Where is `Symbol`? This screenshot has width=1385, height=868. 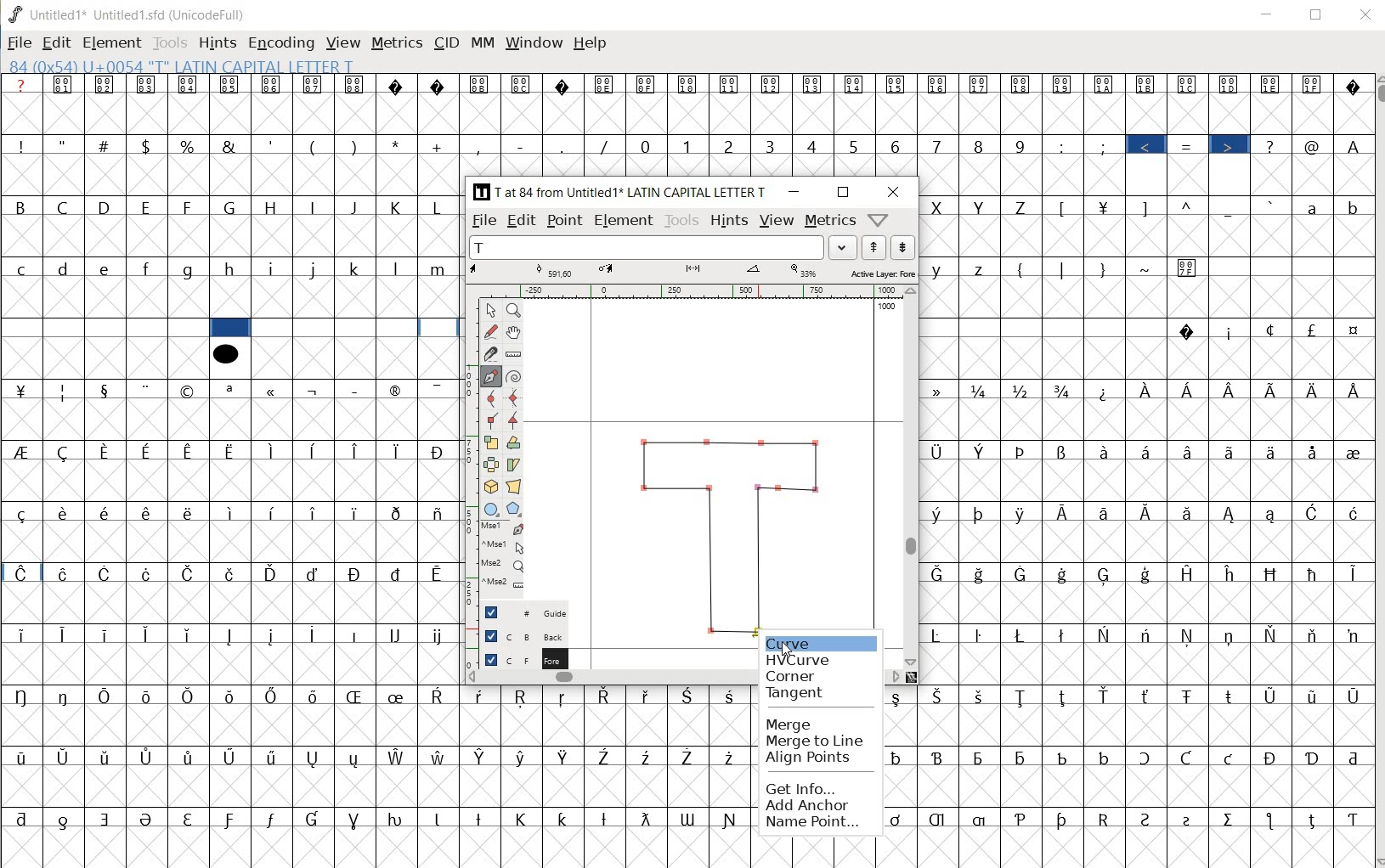 Symbol is located at coordinates (316, 389).